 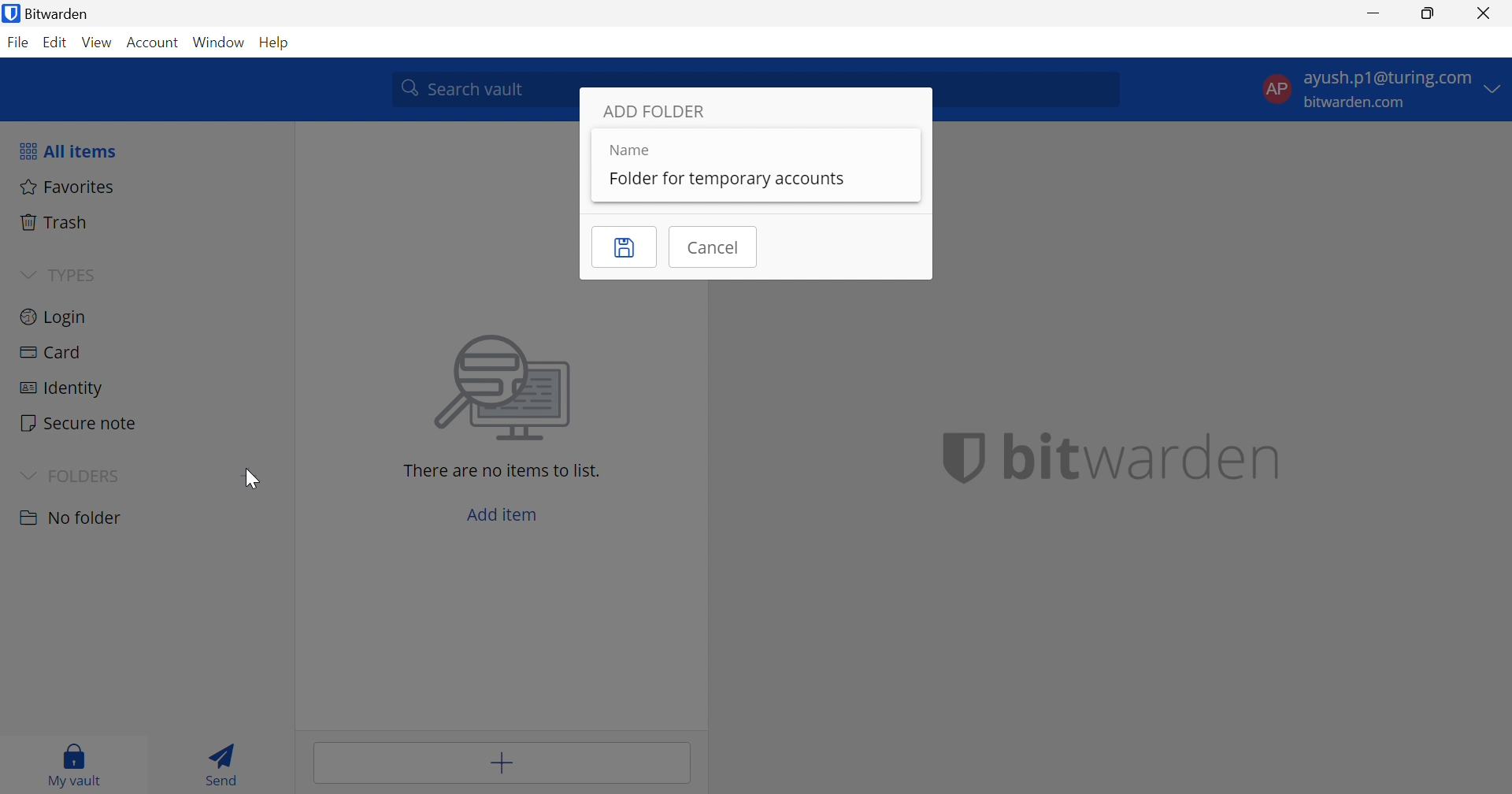 I want to click on Cancel, so click(x=711, y=247).